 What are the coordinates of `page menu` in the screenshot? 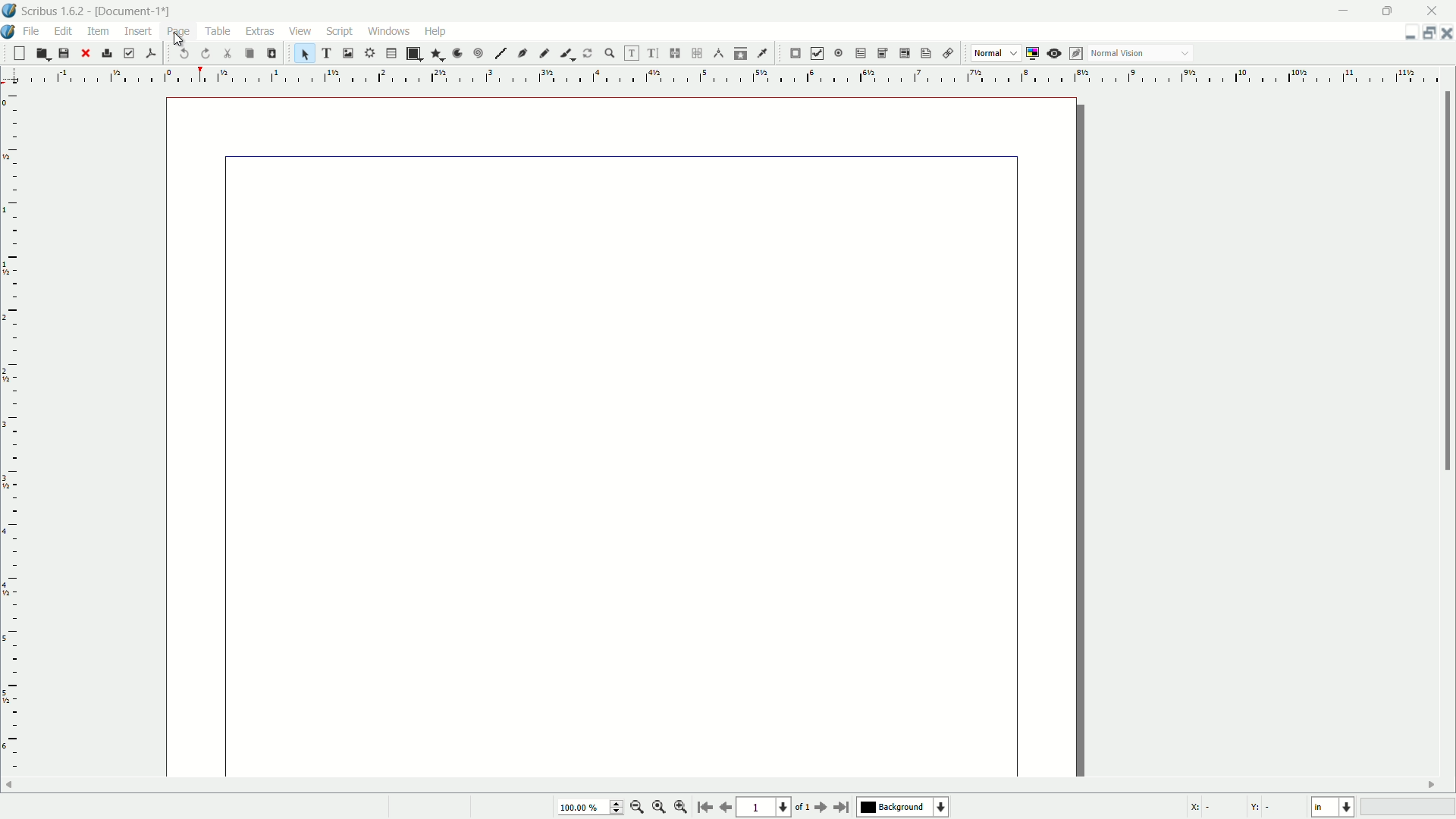 It's located at (178, 29).